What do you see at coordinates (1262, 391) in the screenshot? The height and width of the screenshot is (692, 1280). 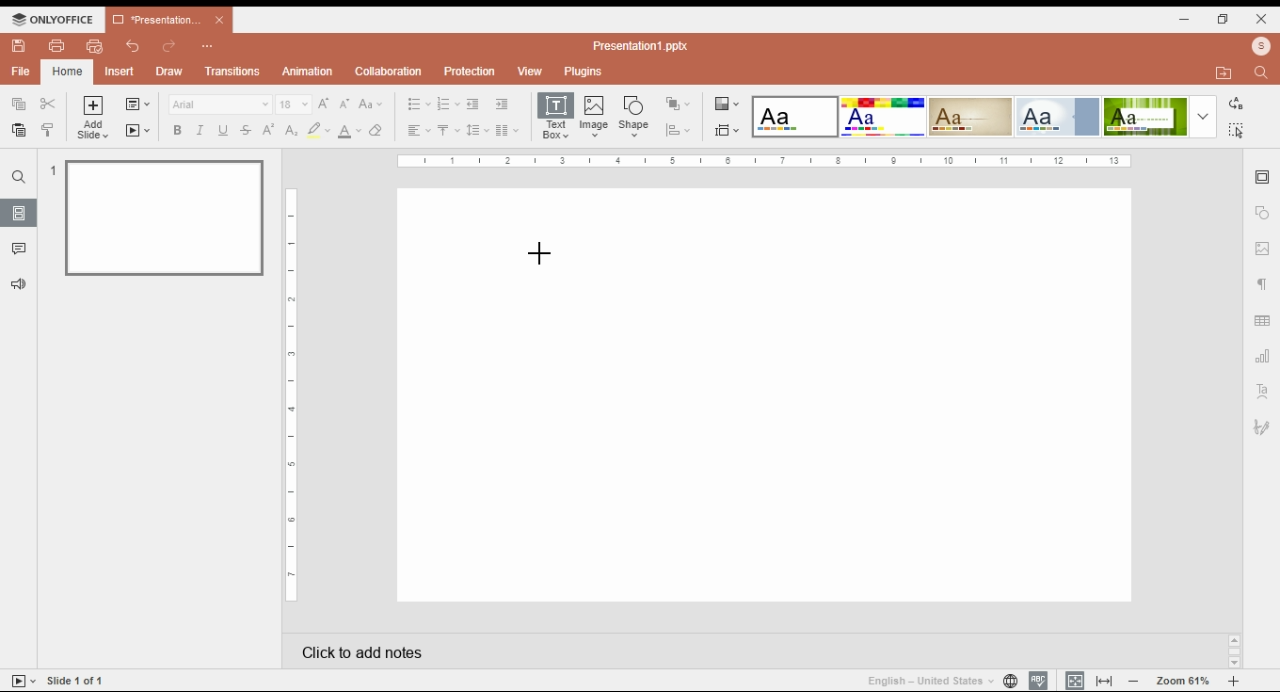 I see `text art settings` at bounding box center [1262, 391].